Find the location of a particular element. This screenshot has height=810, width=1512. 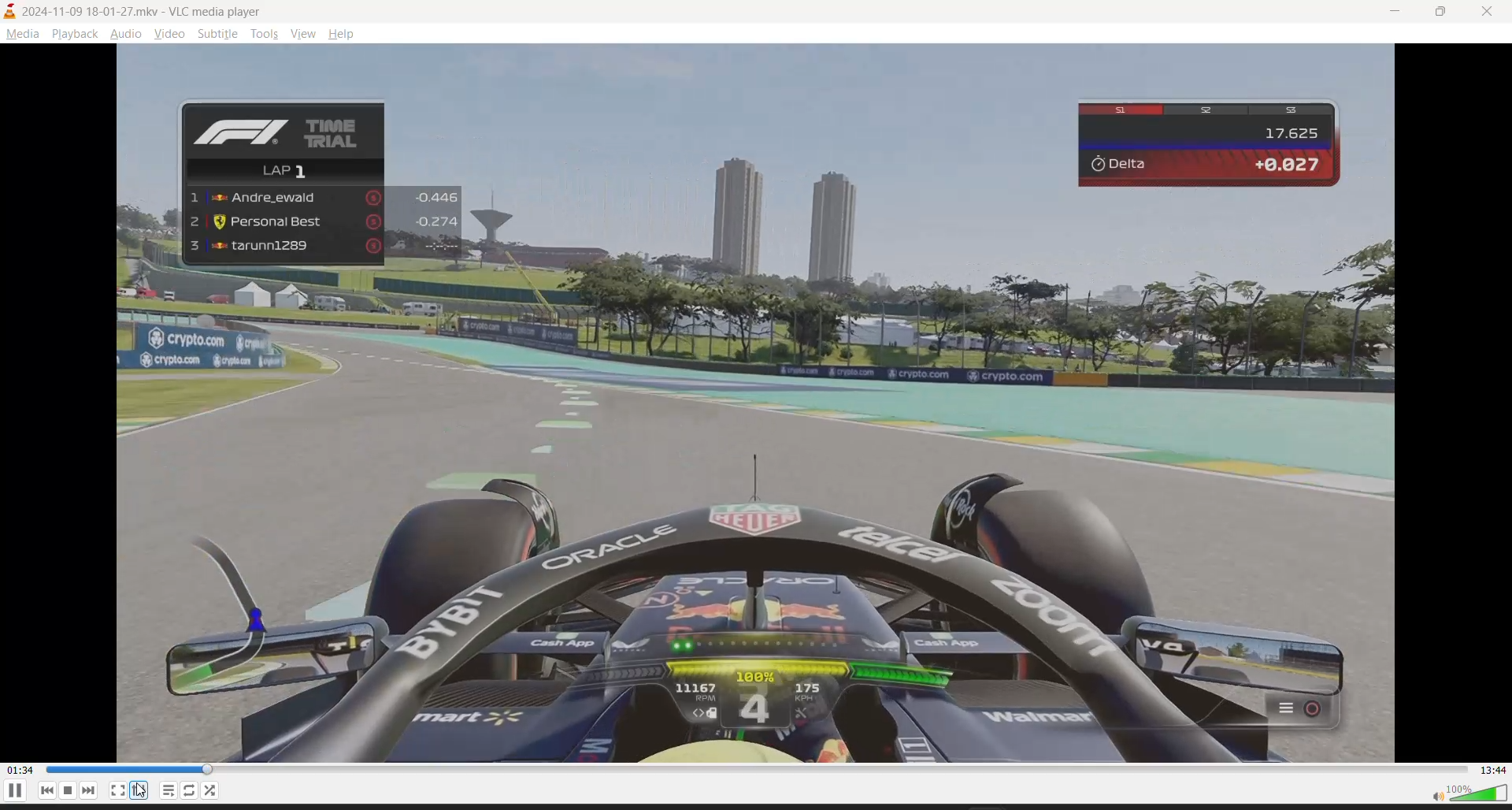

video is located at coordinates (165, 34).